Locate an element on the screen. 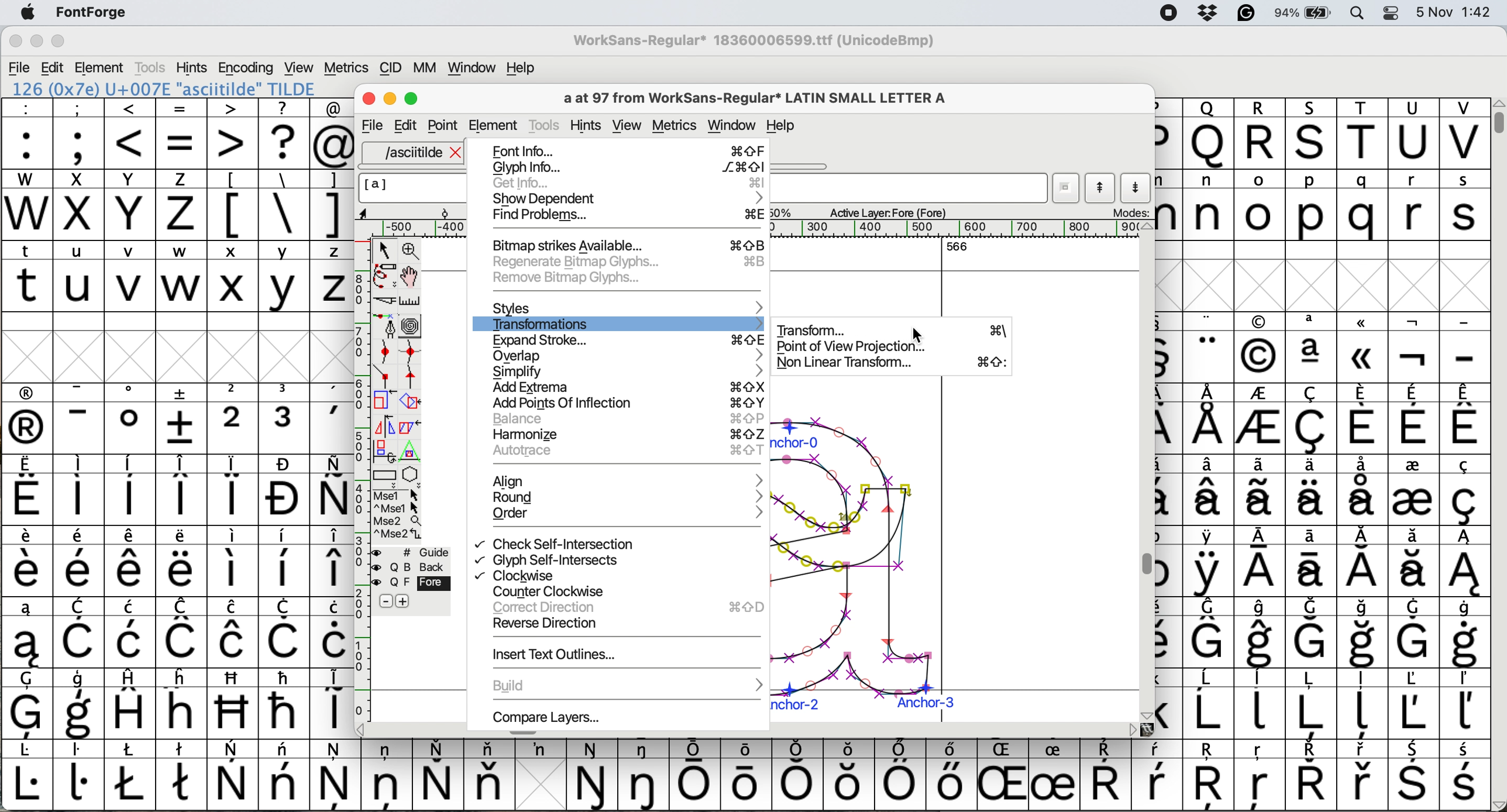  fontforge is located at coordinates (95, 13).